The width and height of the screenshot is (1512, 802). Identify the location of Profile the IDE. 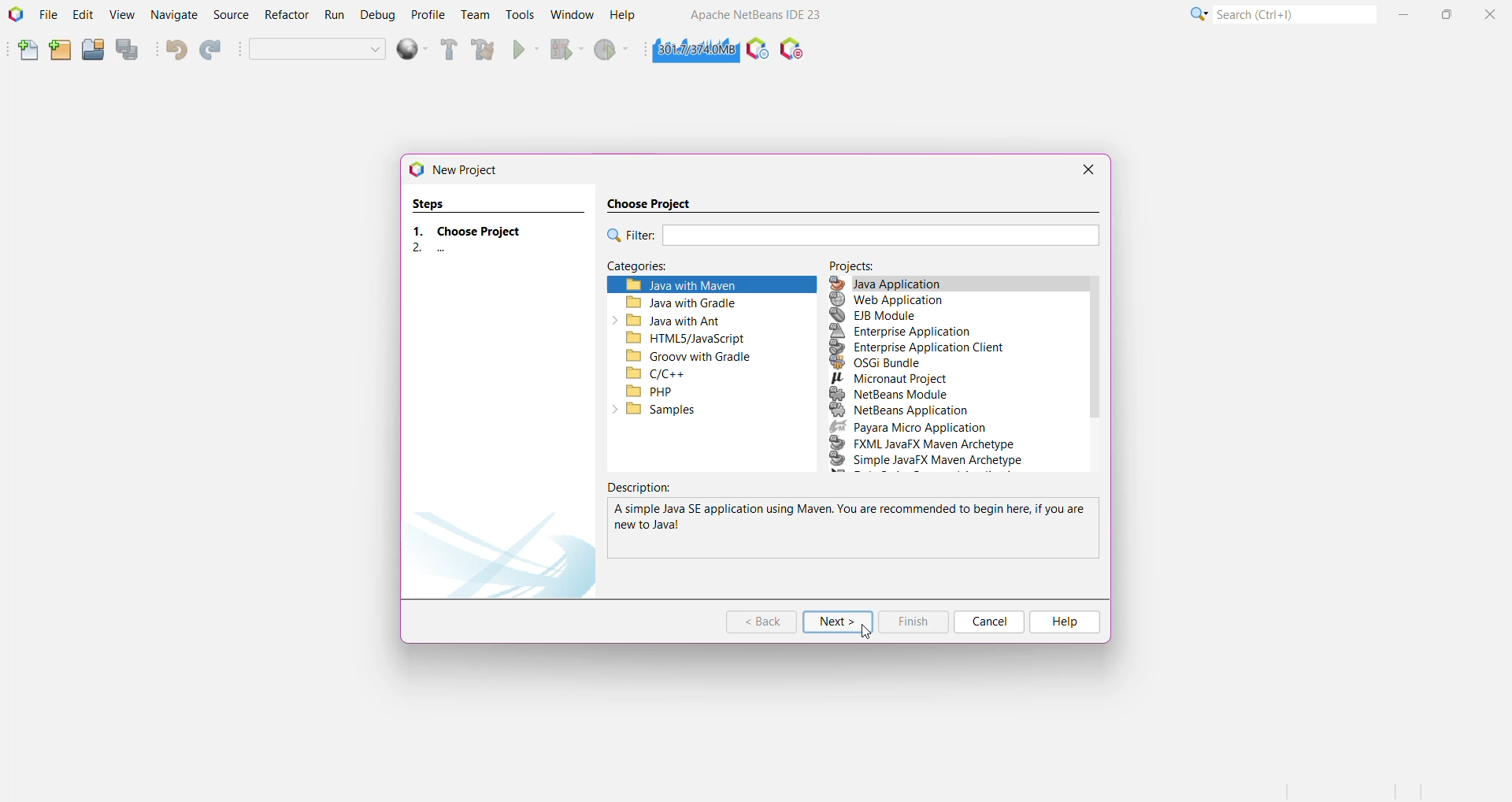
(757, 51).